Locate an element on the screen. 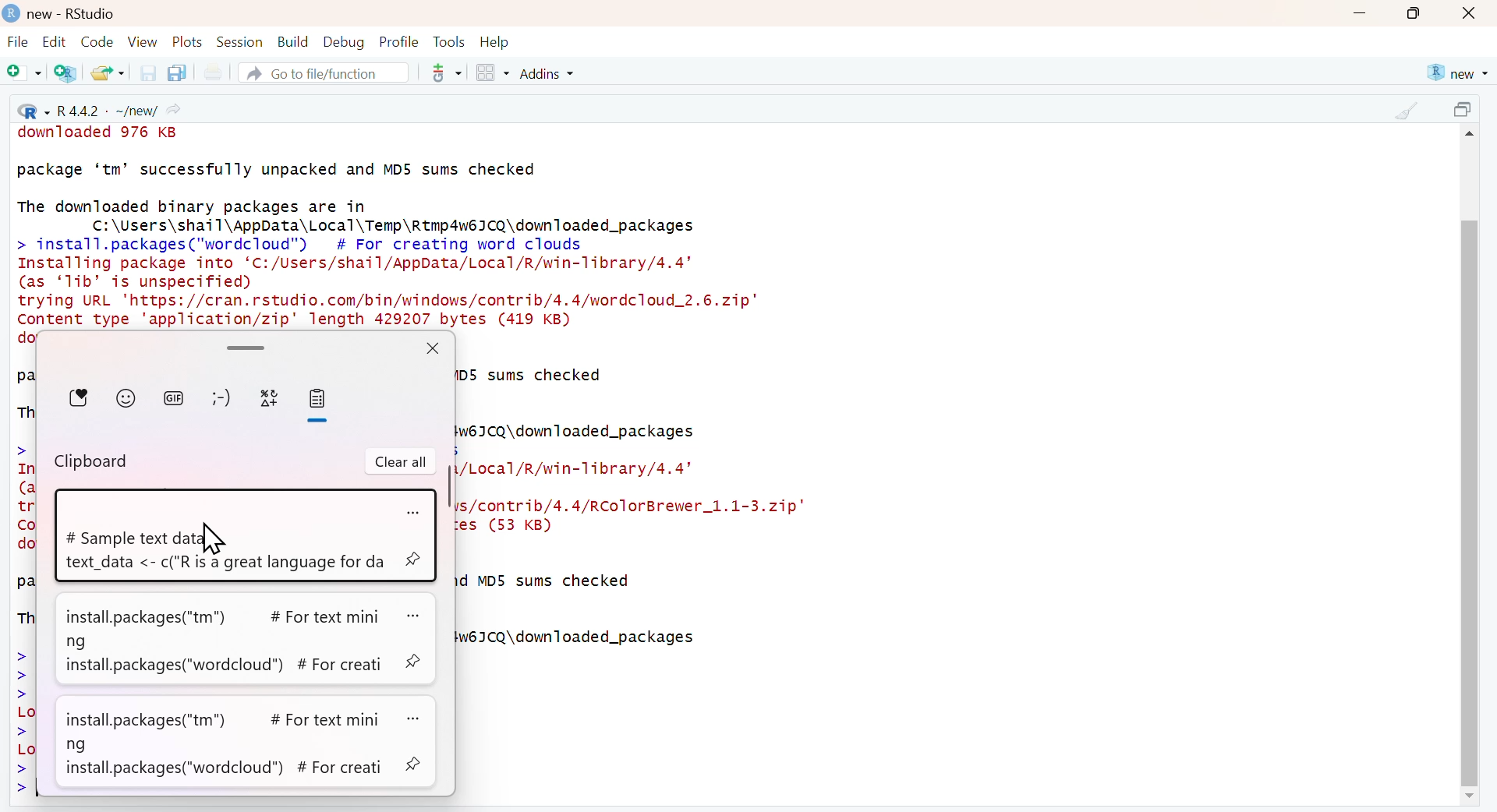 Image resolution: width=1497 pixels, height=812 pixels. The downloaded binary packages are in
C:\Users\shail\AppData\Local\Temp\Rtmp4w6I1CO\downloaded packages is located at coordinates (359, 213).